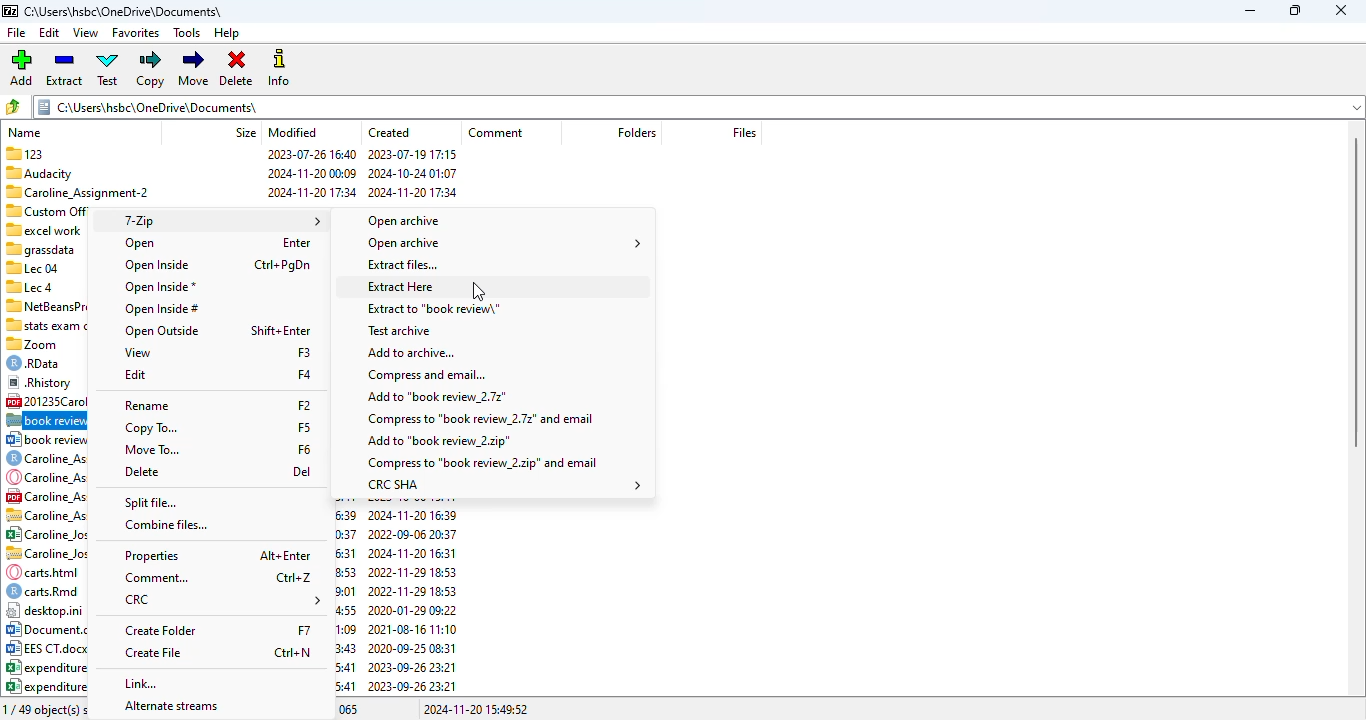 The width and height of the screenshot is (1366, 720). I want to click on “stats exam caroline, so click(47, 325).